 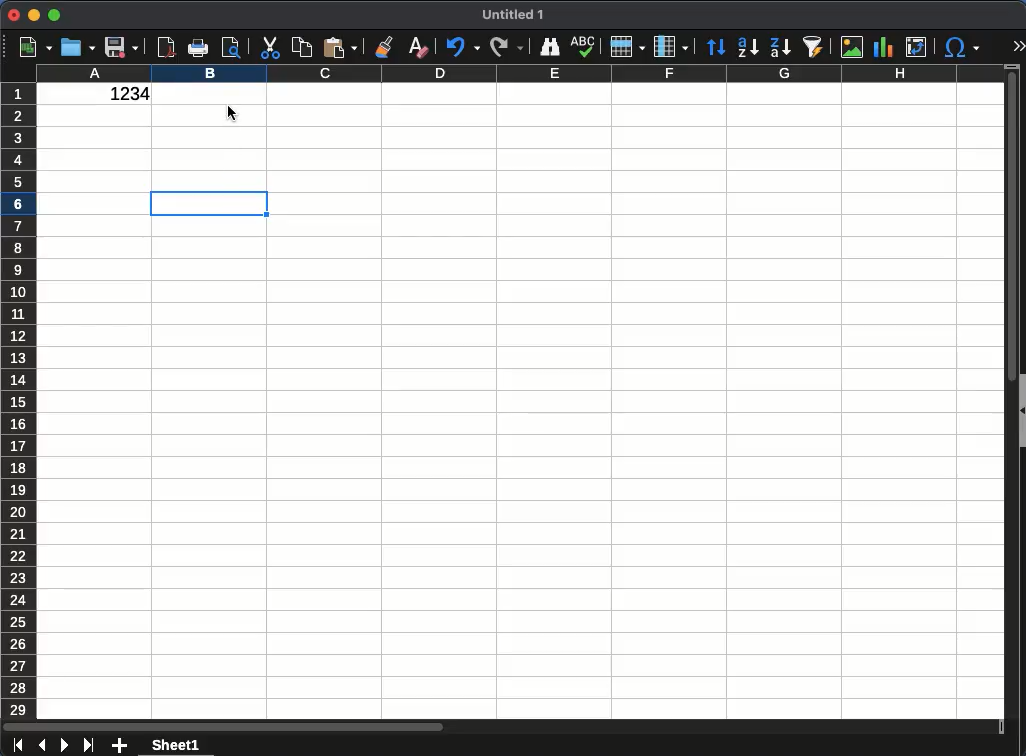 What do you see at coordinates (233, 48) in the screenshot?
I see `print preview` at bounding box center [233, 48].